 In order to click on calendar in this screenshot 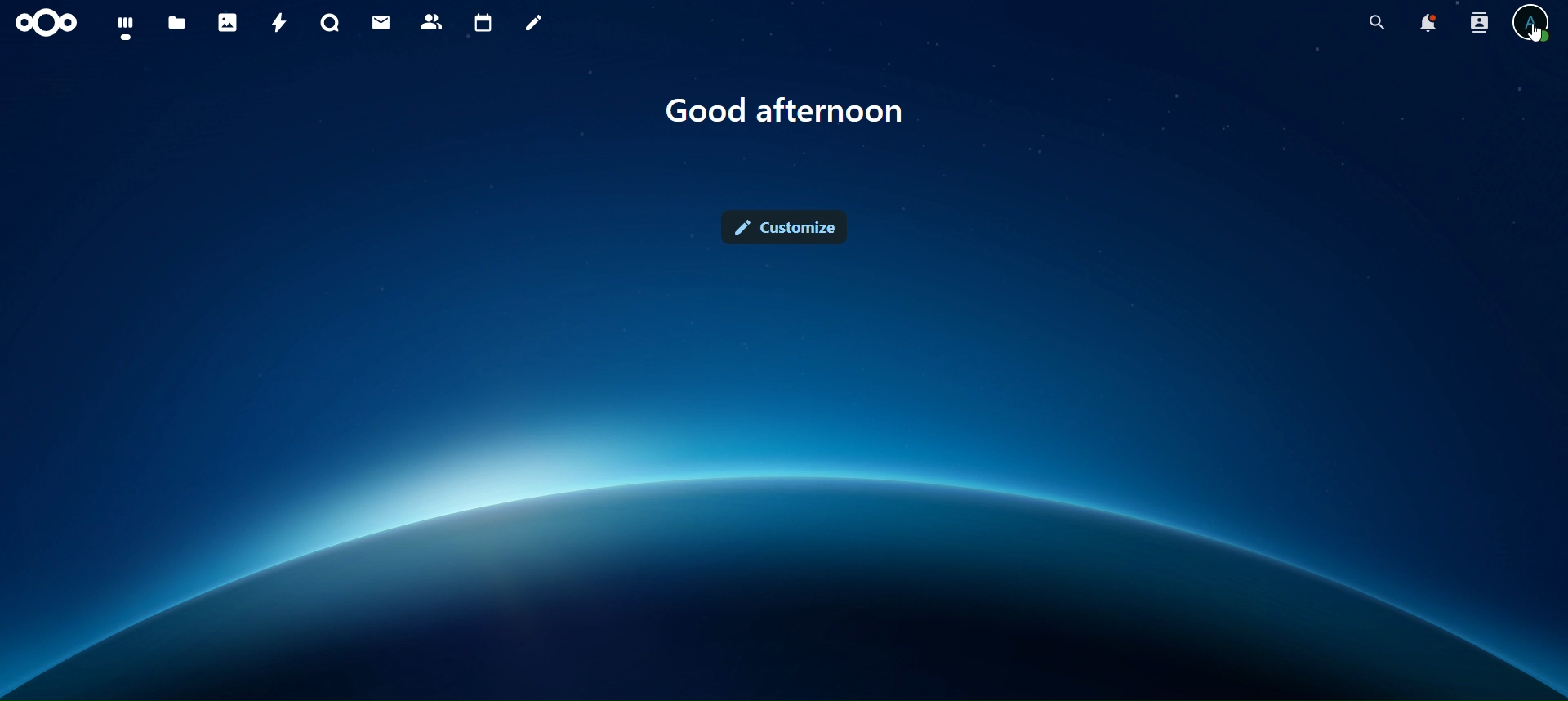, I will do `click(484, 21)`.